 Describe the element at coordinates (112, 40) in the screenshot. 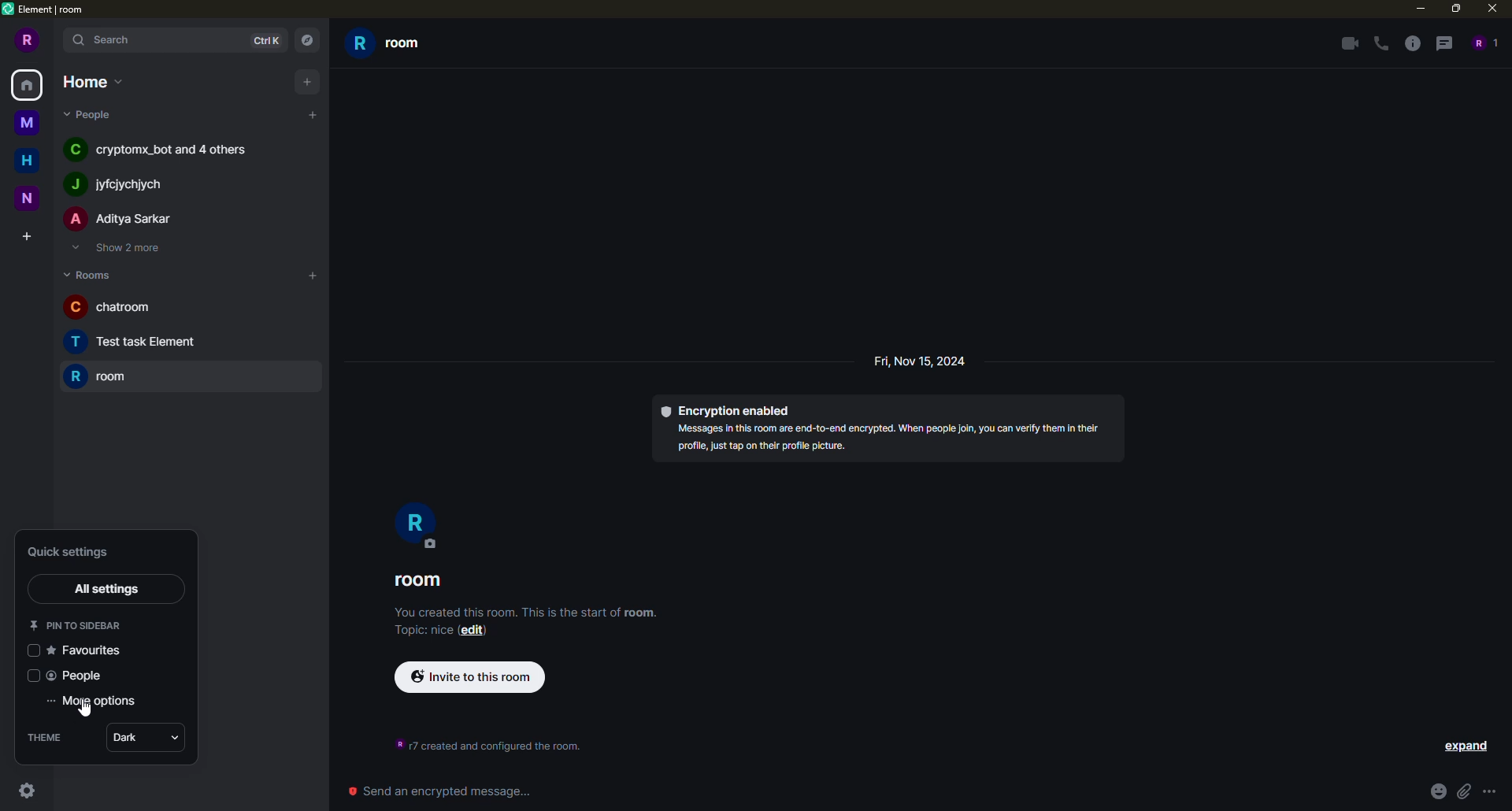

I see `search` at that location.